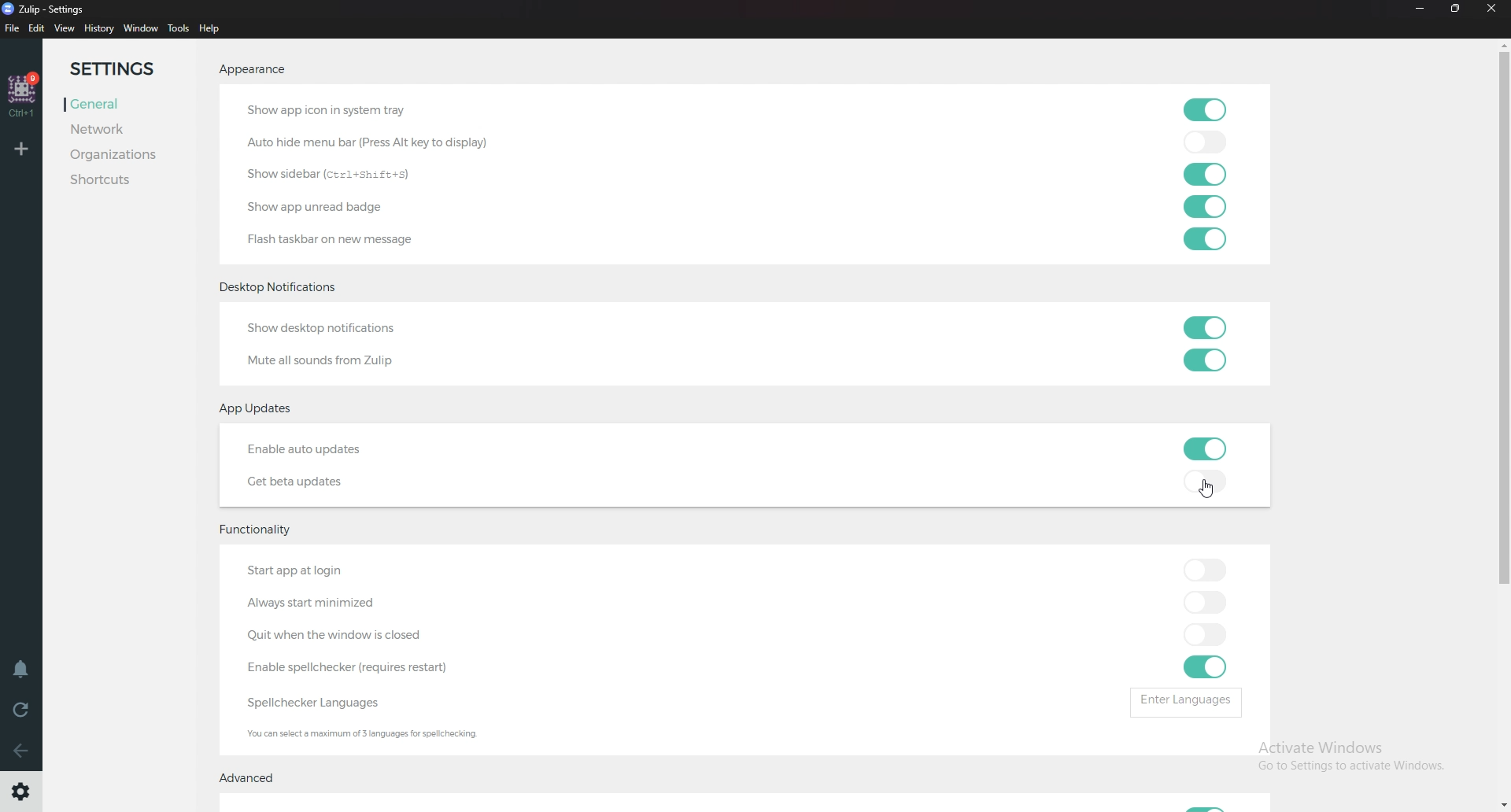  I want to click on enter languages, so click(1188, 701).